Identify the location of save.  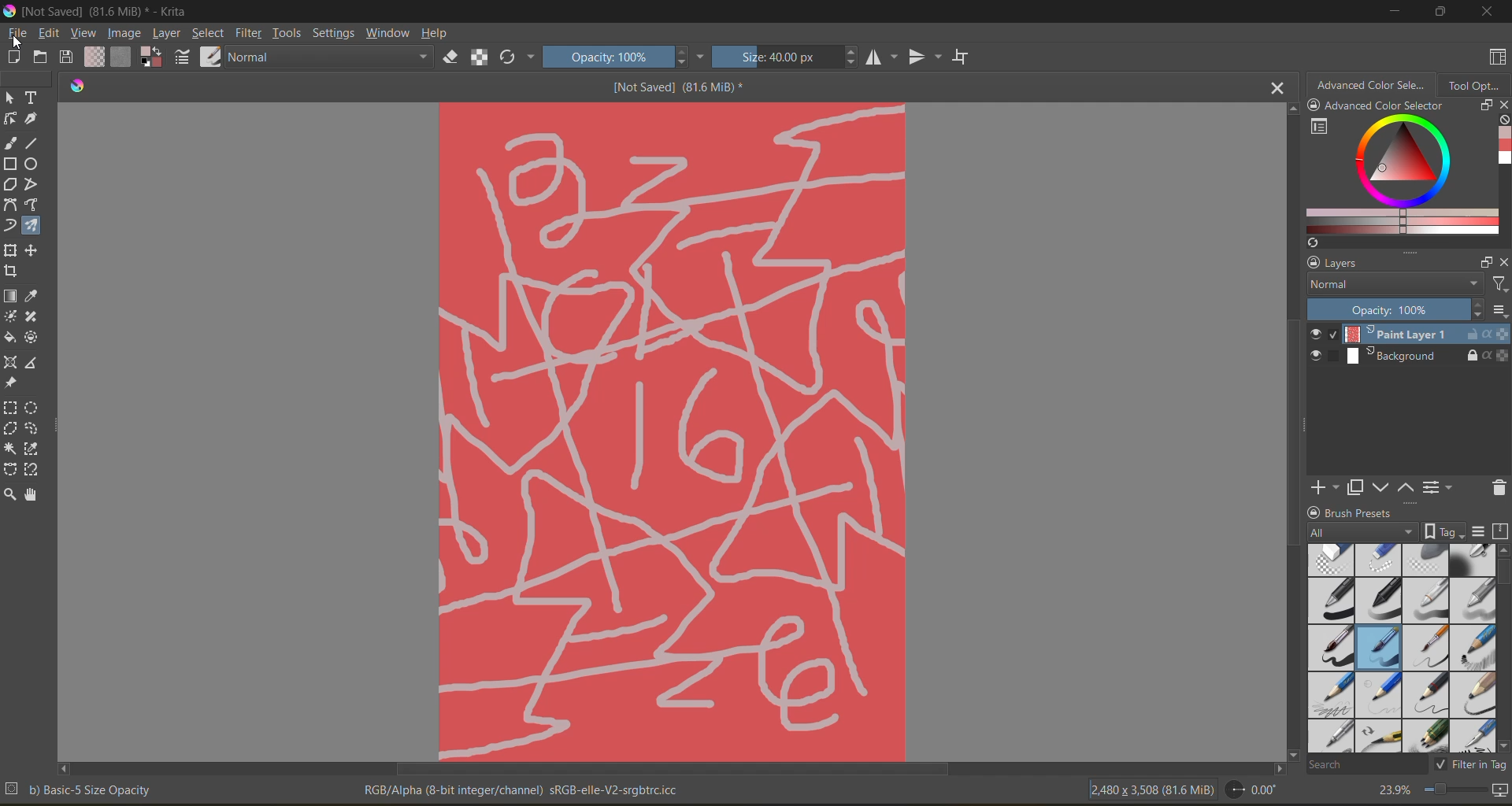
(65, 57).